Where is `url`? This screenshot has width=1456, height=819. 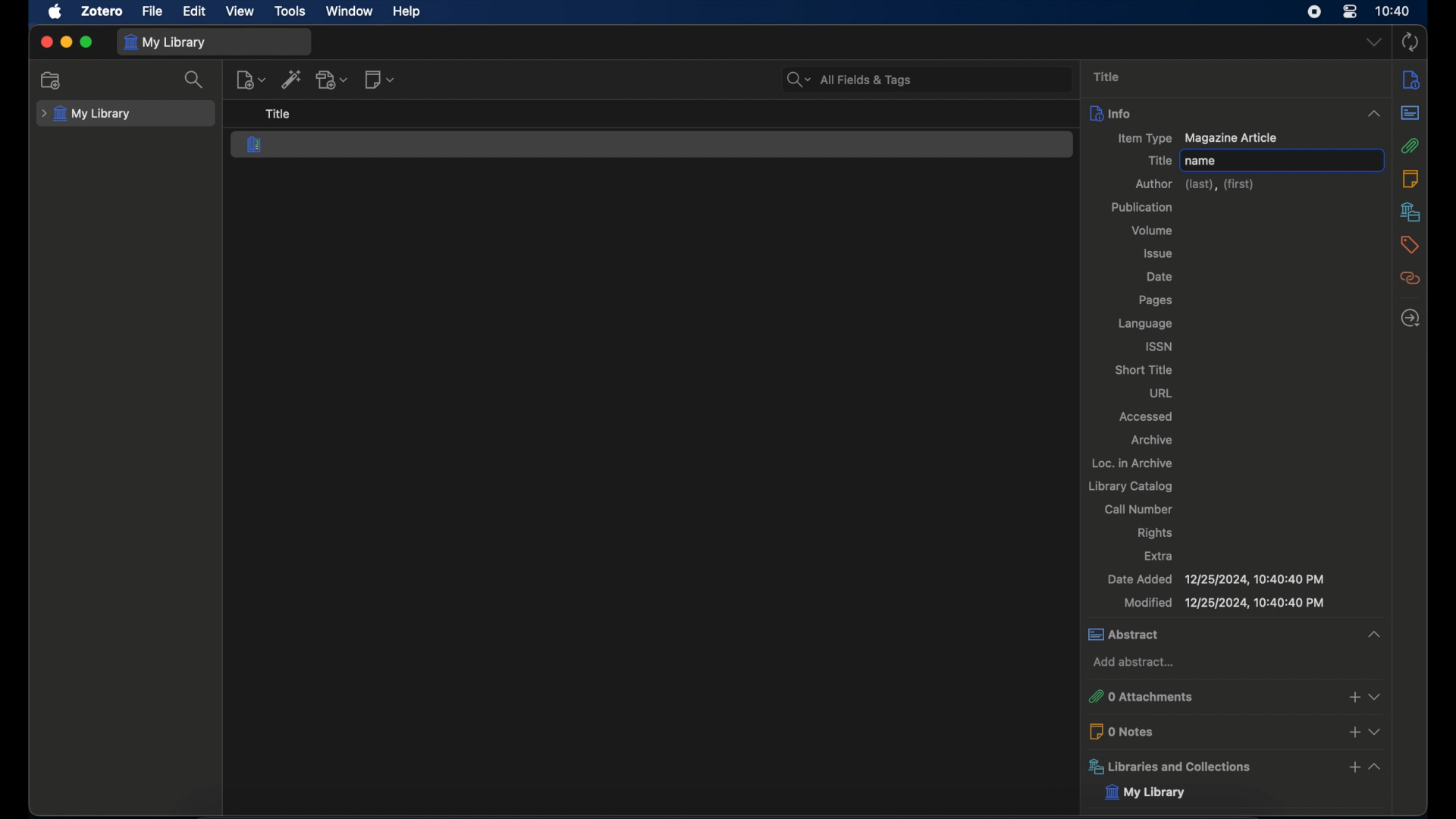 url is located at coordinates (1161, 394).